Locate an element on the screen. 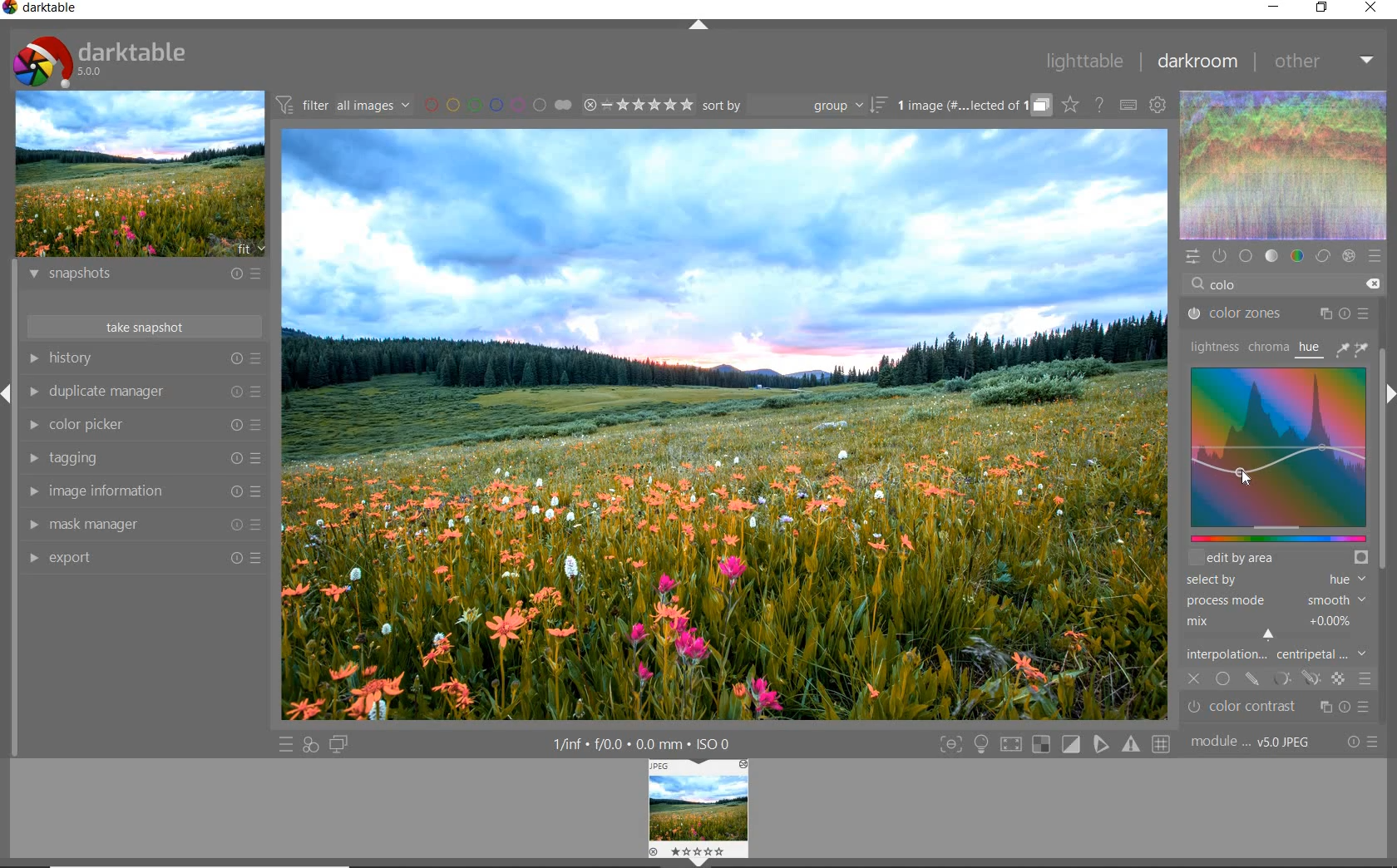 The image size is (1397, 868). image preview is located at coordinates (140, 176).